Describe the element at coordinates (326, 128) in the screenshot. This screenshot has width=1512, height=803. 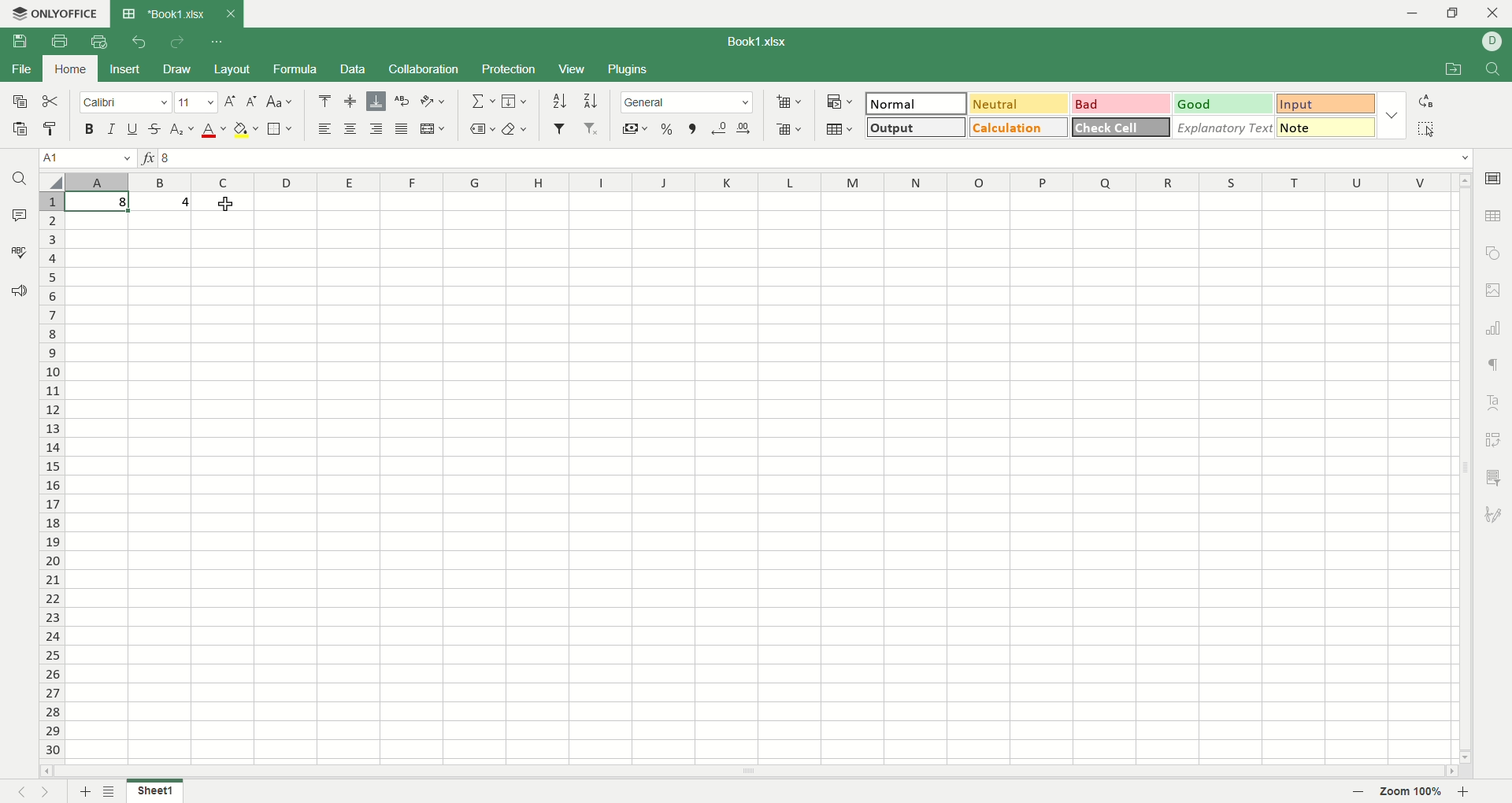
I see `align left` at that location.